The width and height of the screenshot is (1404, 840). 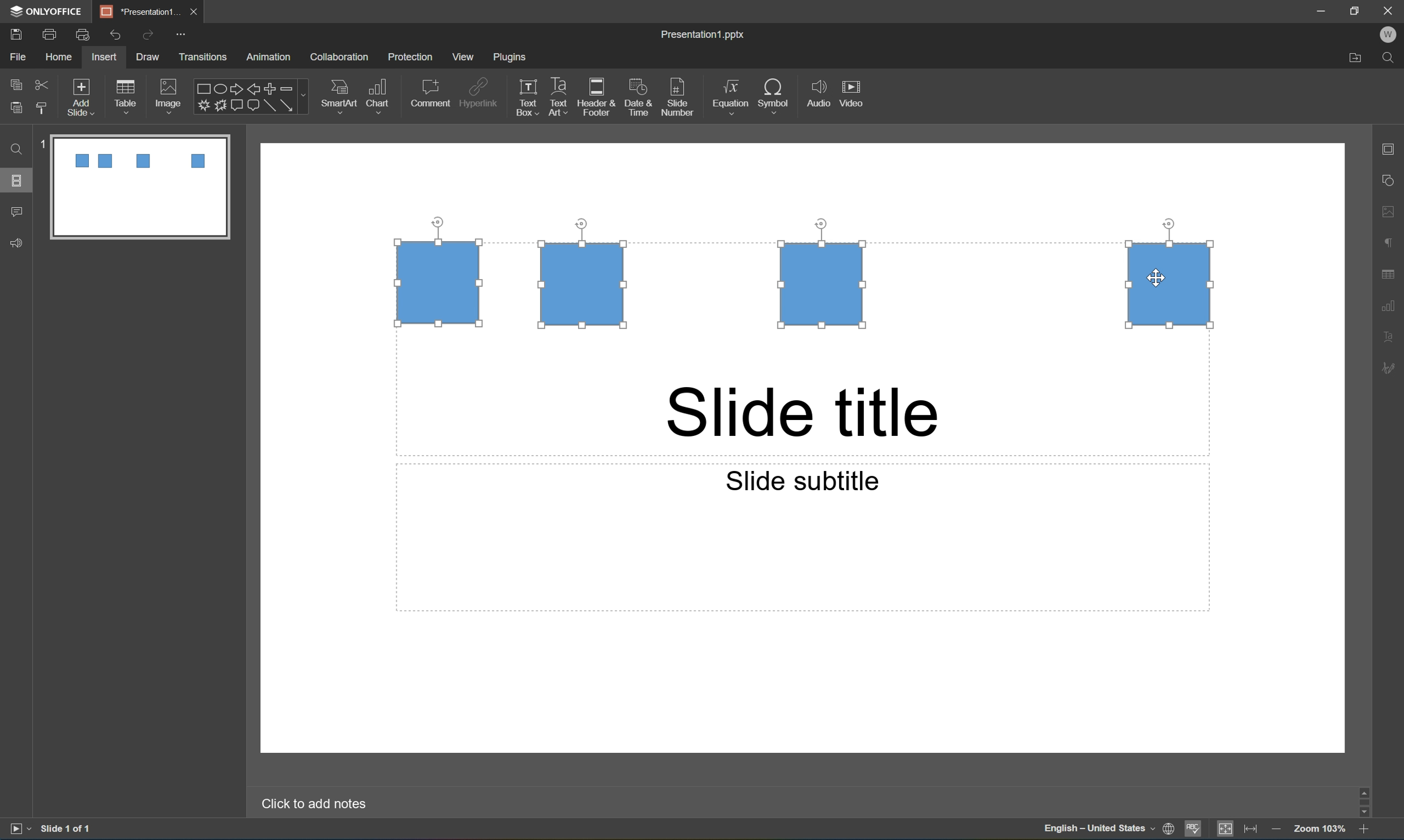 What do you see at coordinates (803, 276) in the screenshot?
I see `4 Squares selected` at bounding box center [803, 276].